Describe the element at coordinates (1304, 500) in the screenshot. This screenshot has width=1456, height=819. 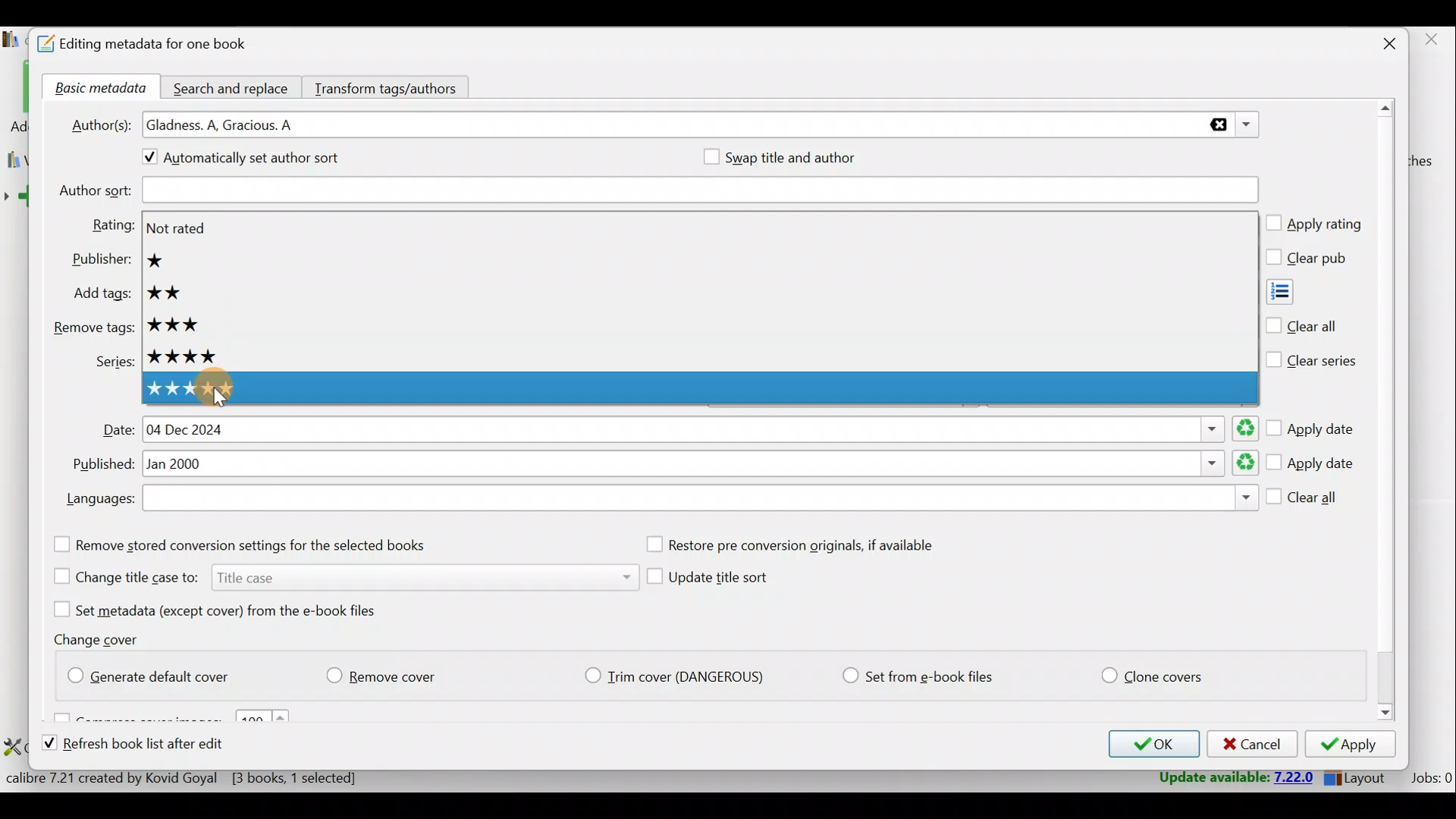
I see `Clear all` at that location.